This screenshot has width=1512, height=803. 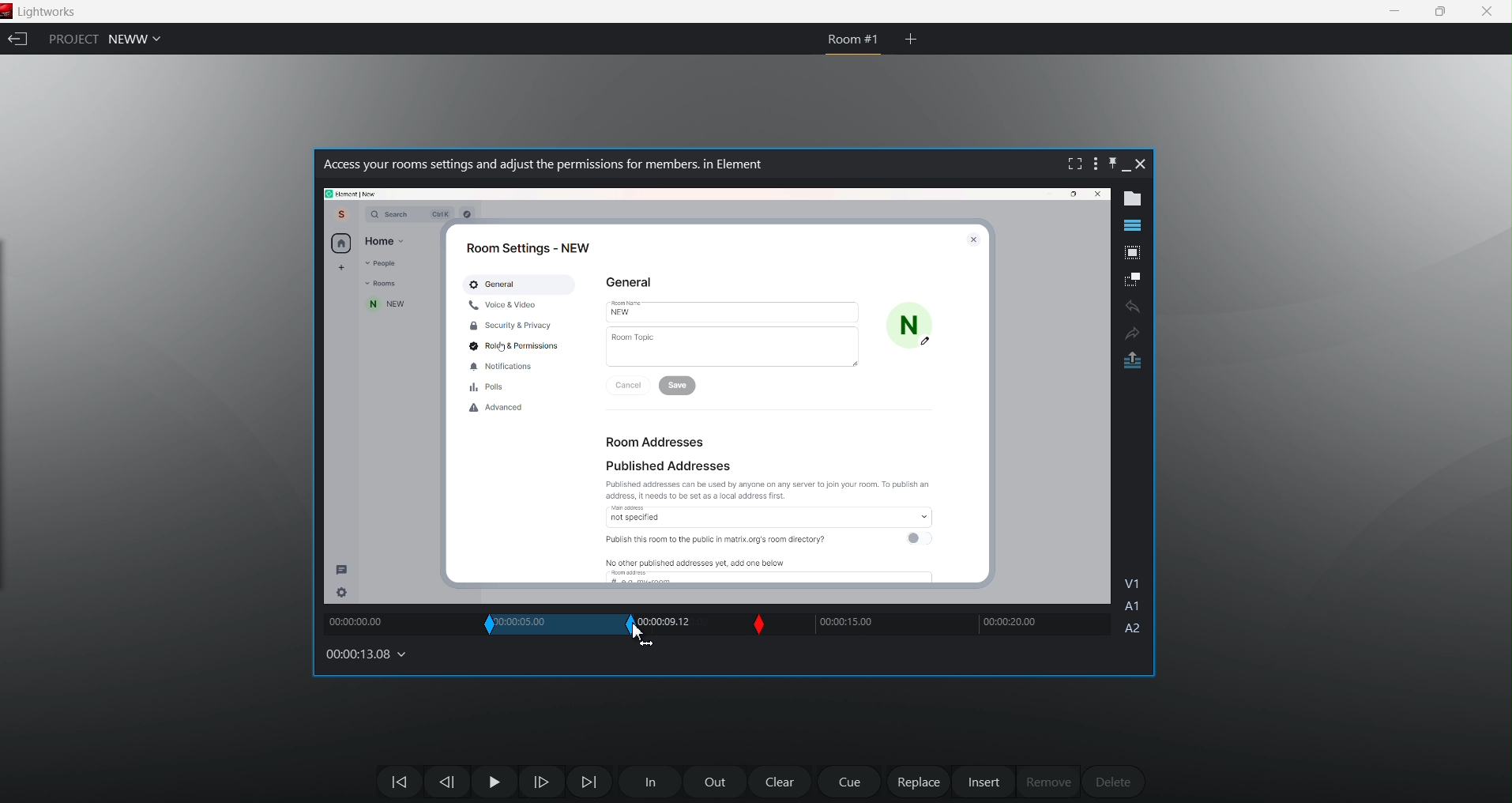 What do you see at coordinates (1395, 10) in the screenshot?
I see `minimize` at bounding box center [1395, 10].